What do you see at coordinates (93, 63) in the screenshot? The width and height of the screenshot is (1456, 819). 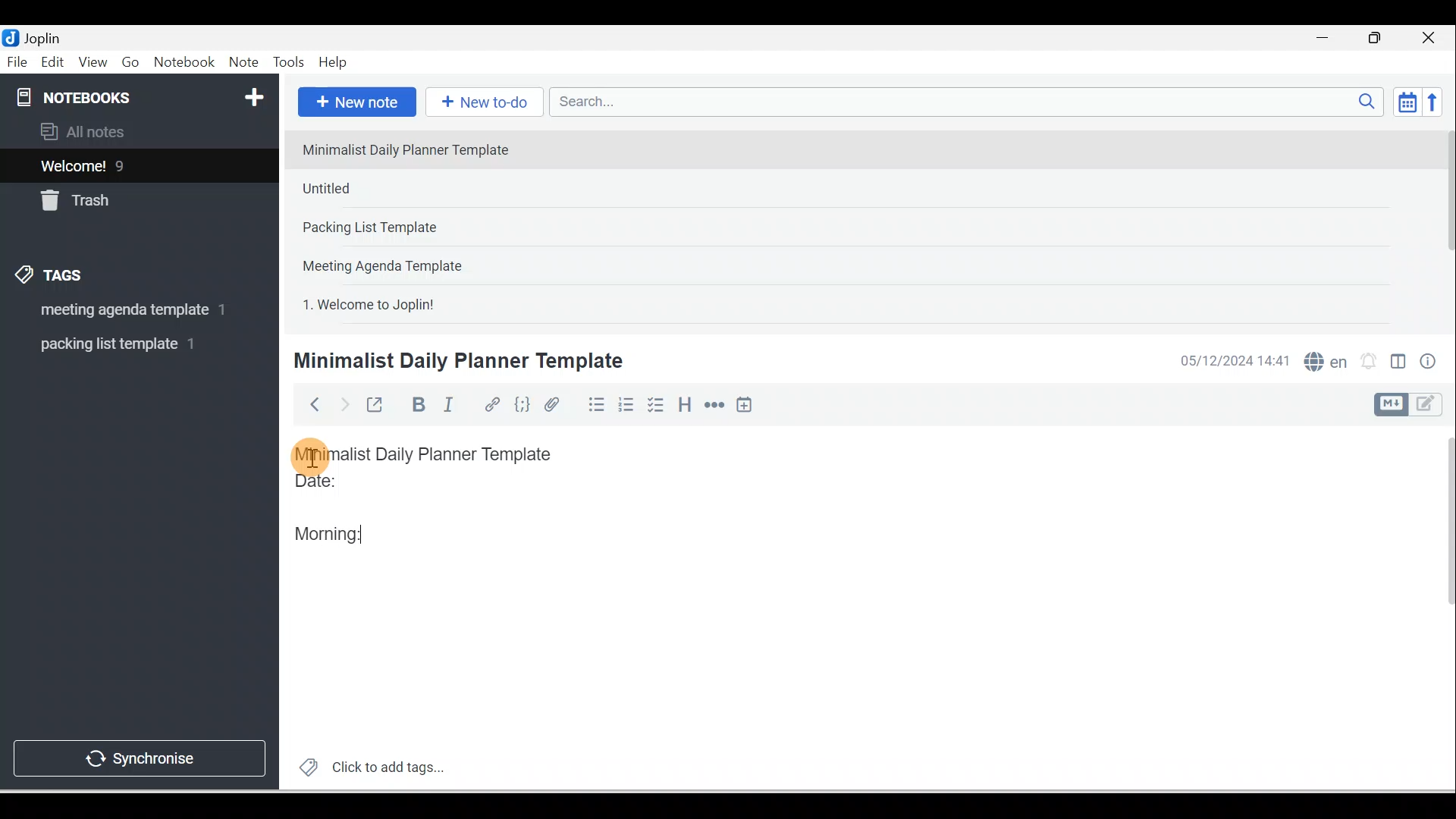 I see `View` at bounding box center [93, 63].